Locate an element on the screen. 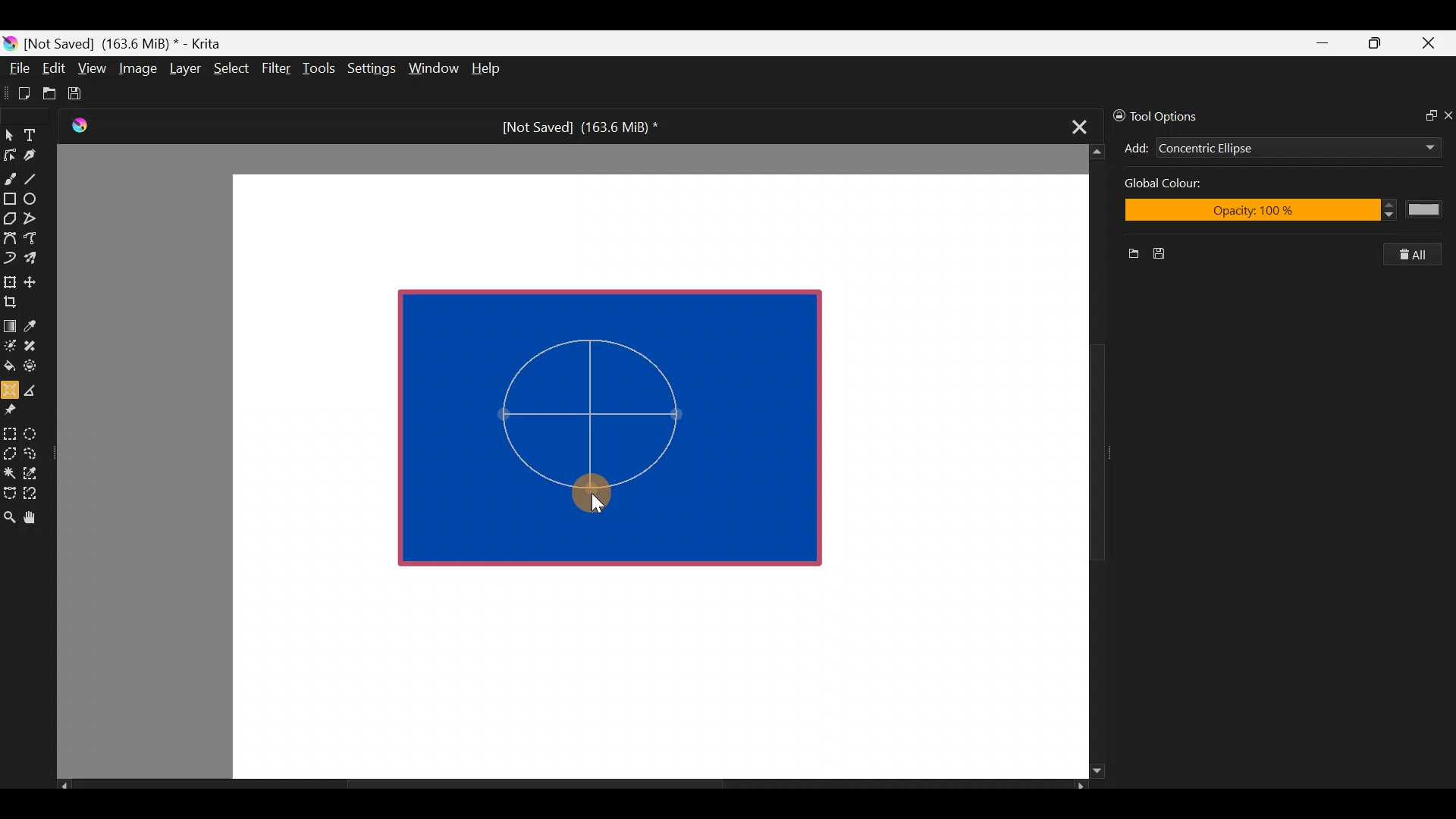 Image resolution: width=1456 pixels, height=819 pixels. Krita logo is located at coordinates (10, 42).